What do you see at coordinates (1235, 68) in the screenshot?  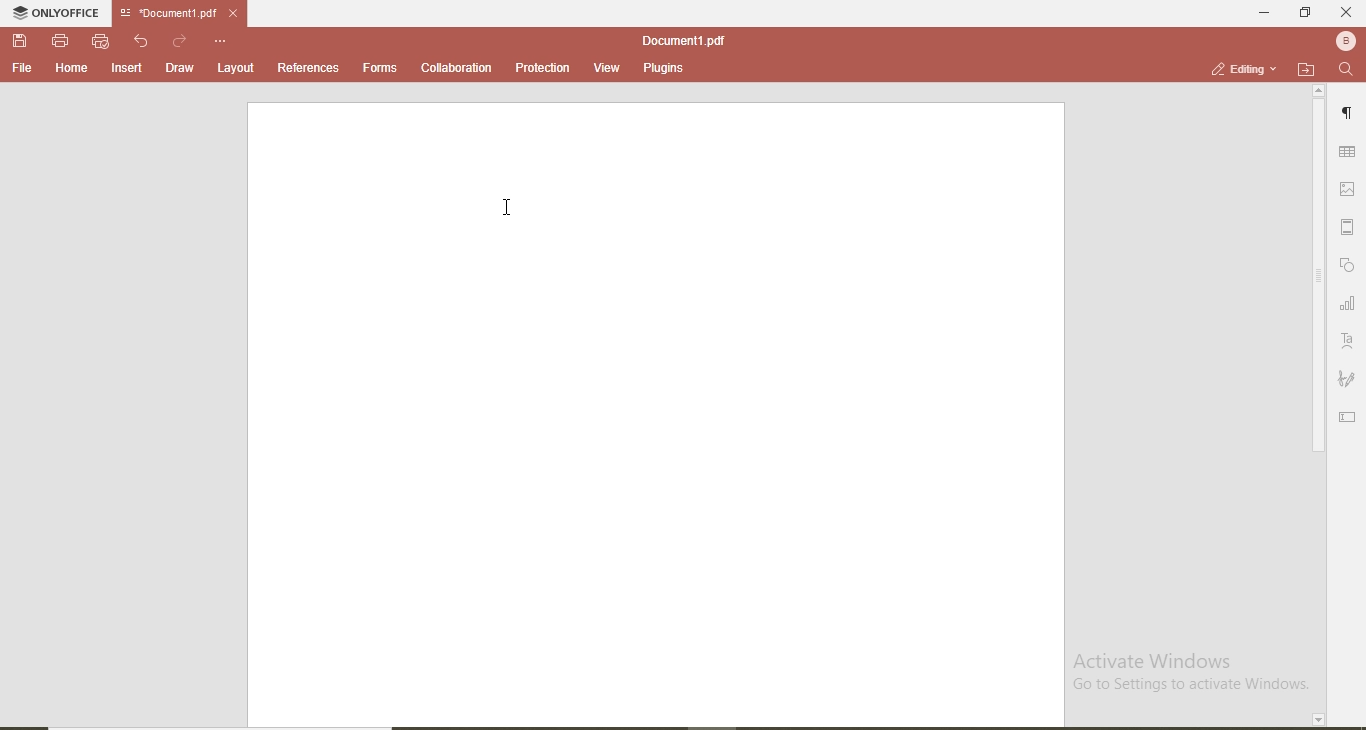 I see `editing` at bounding box center [1235, 68].